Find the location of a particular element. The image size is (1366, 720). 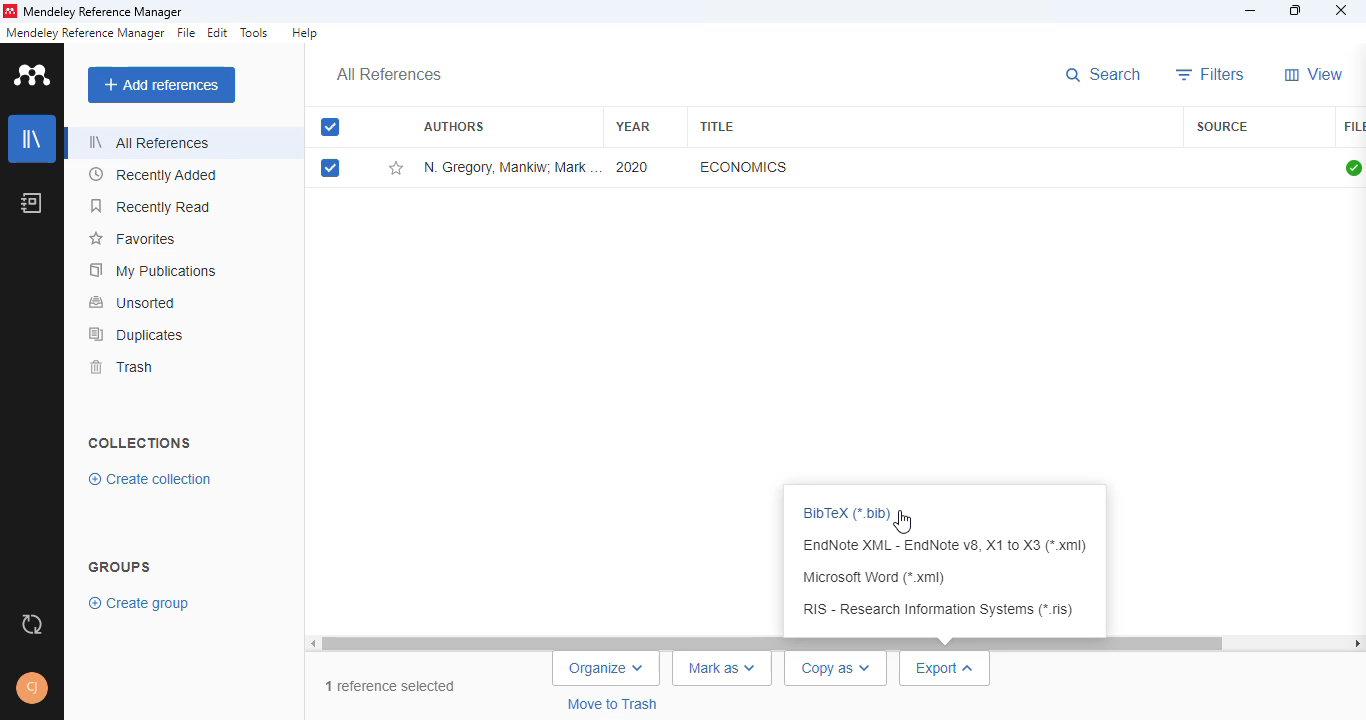

logo is located at coordinates (32, 74).